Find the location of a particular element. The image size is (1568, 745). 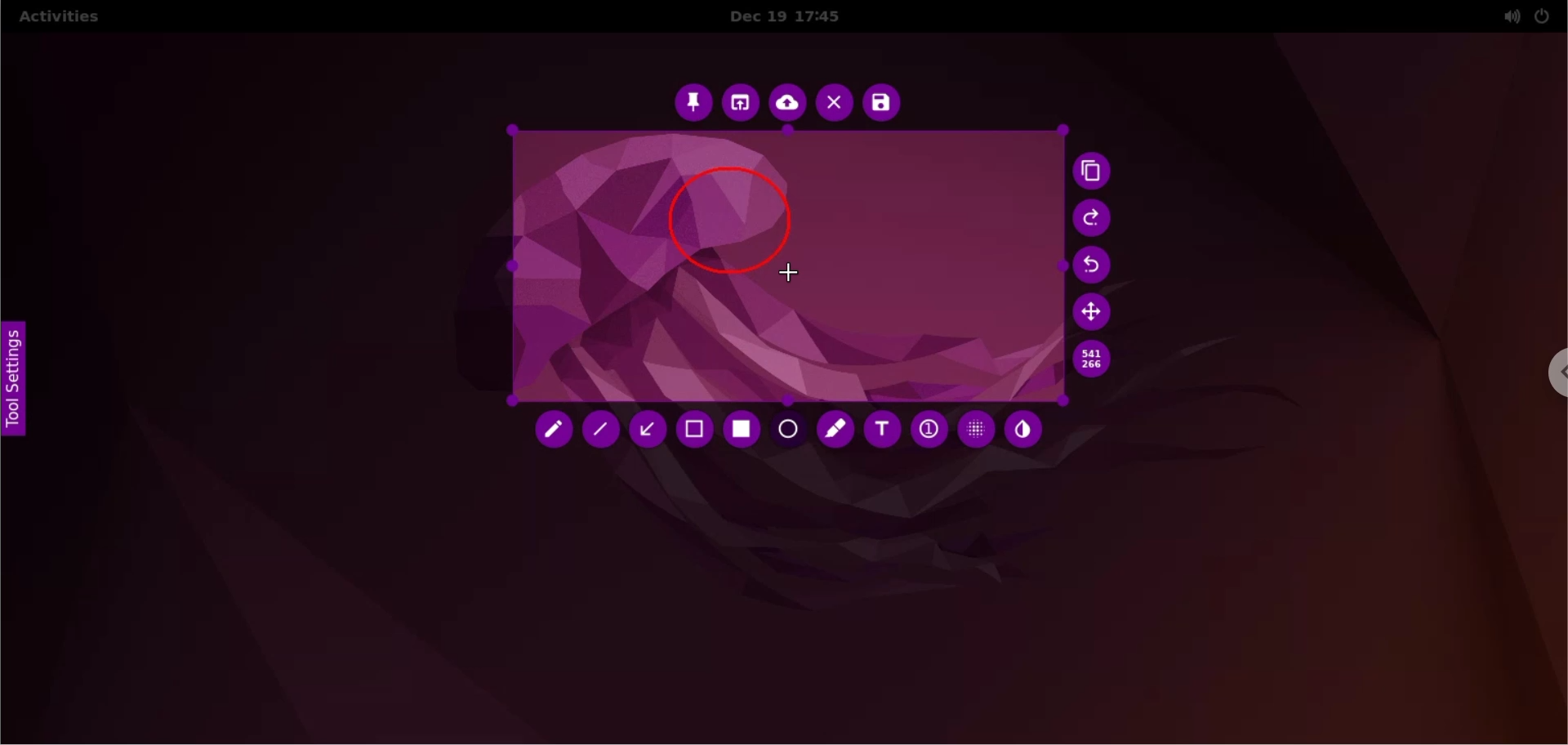

copy to clipboard is located at coordinates (1096, 173).